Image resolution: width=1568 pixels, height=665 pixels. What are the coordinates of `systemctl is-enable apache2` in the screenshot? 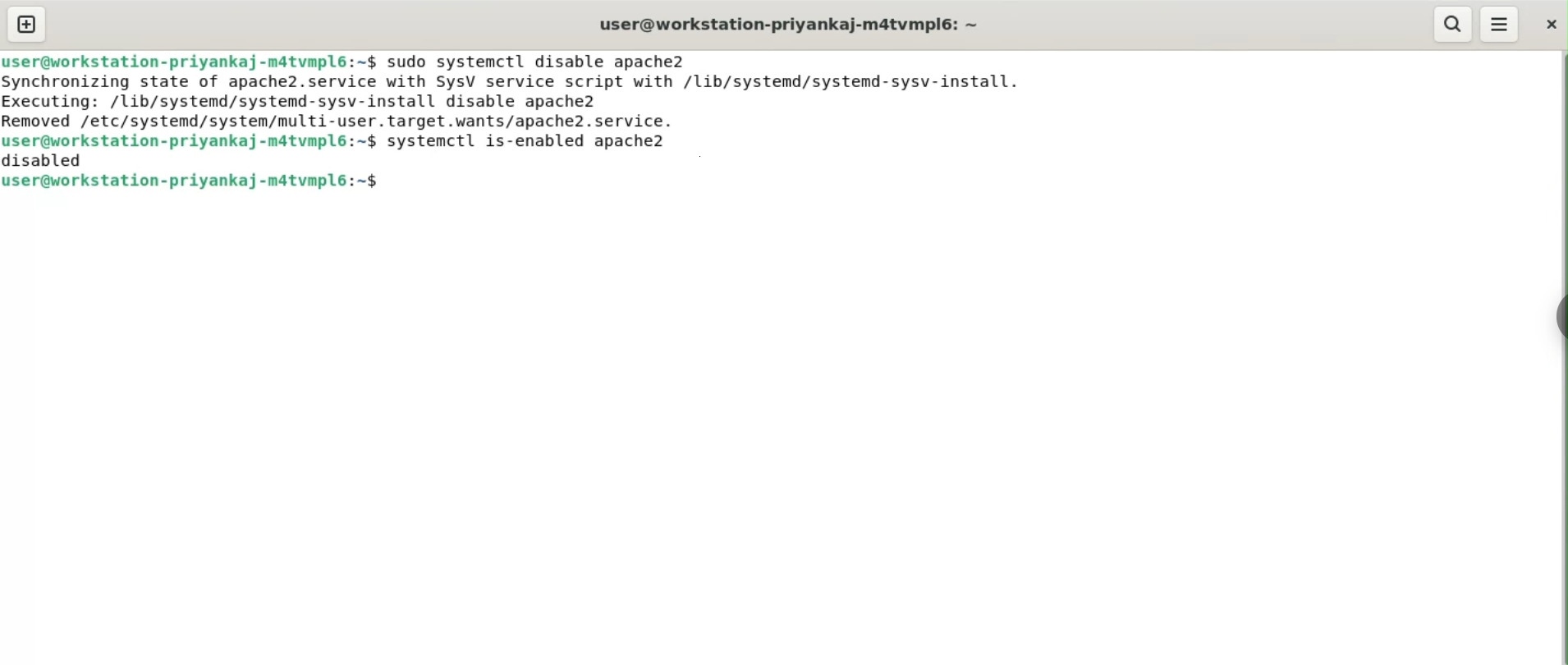 It's located at (541, 144).